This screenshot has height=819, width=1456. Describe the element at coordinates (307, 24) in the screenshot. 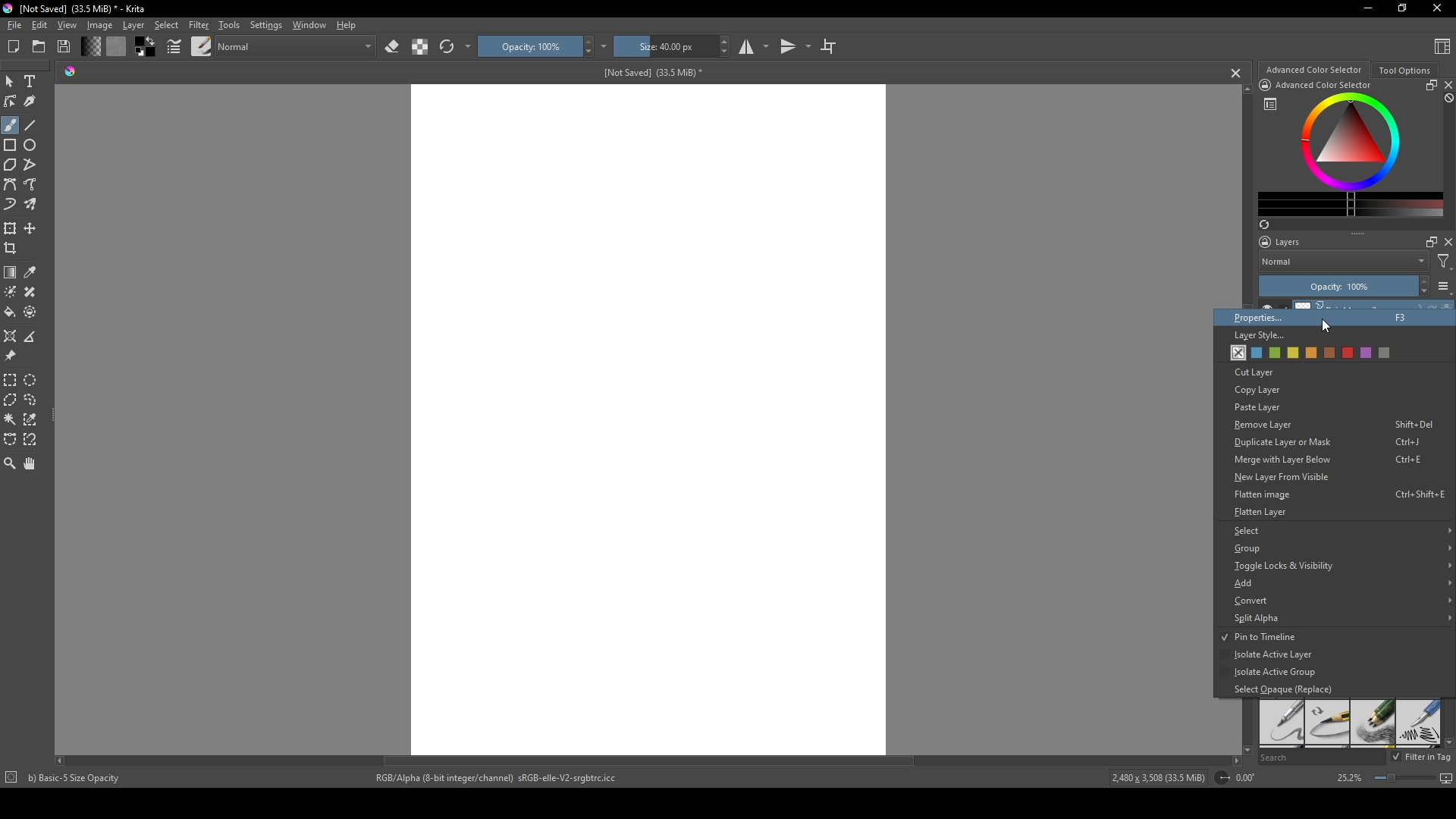

I see `Window` at that location.